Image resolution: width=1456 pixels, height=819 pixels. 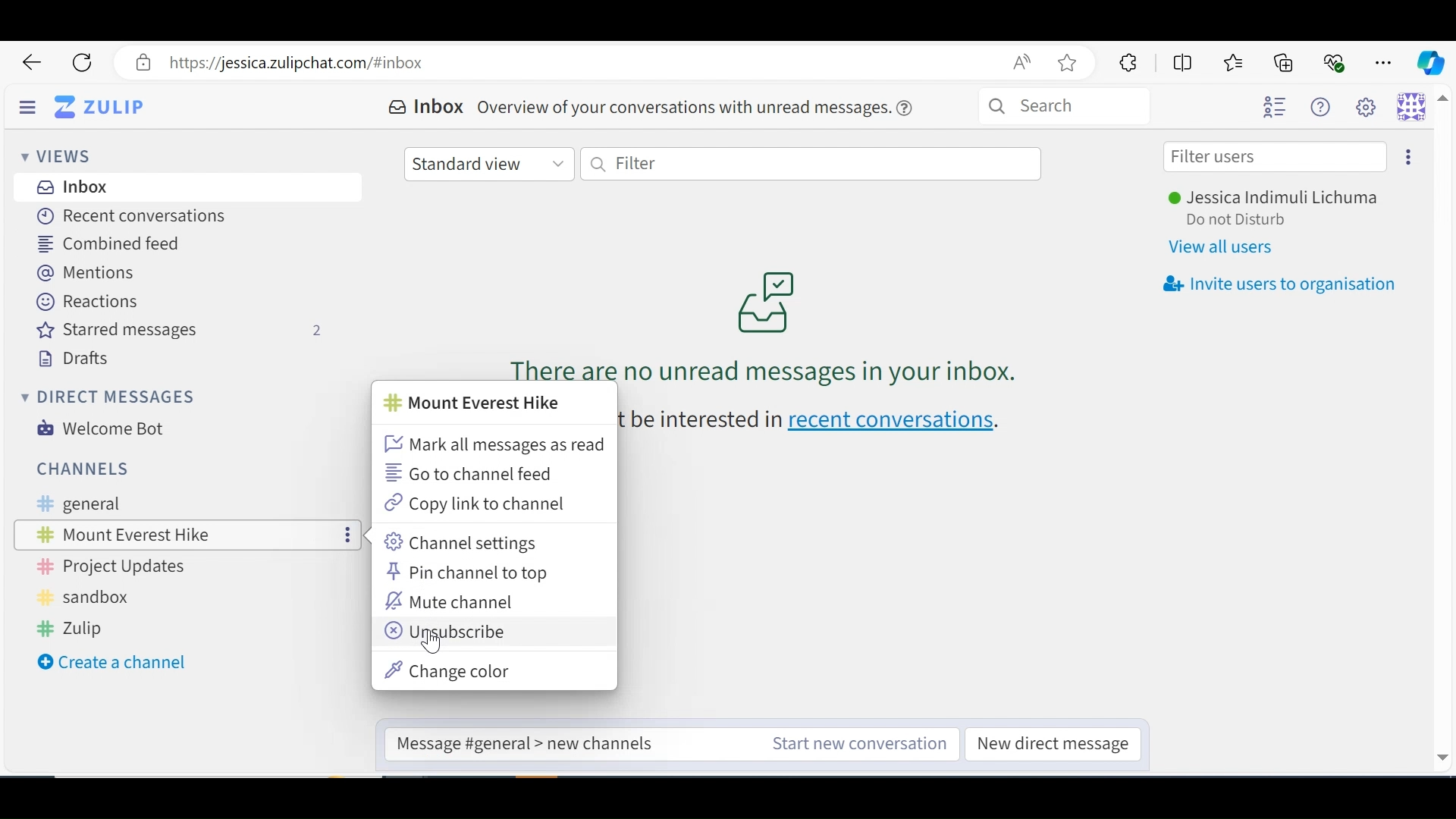 What do you see at coordinates (457, 600) in the screenshot?
I see `Mute Channel` at bounding box center [457, 600].